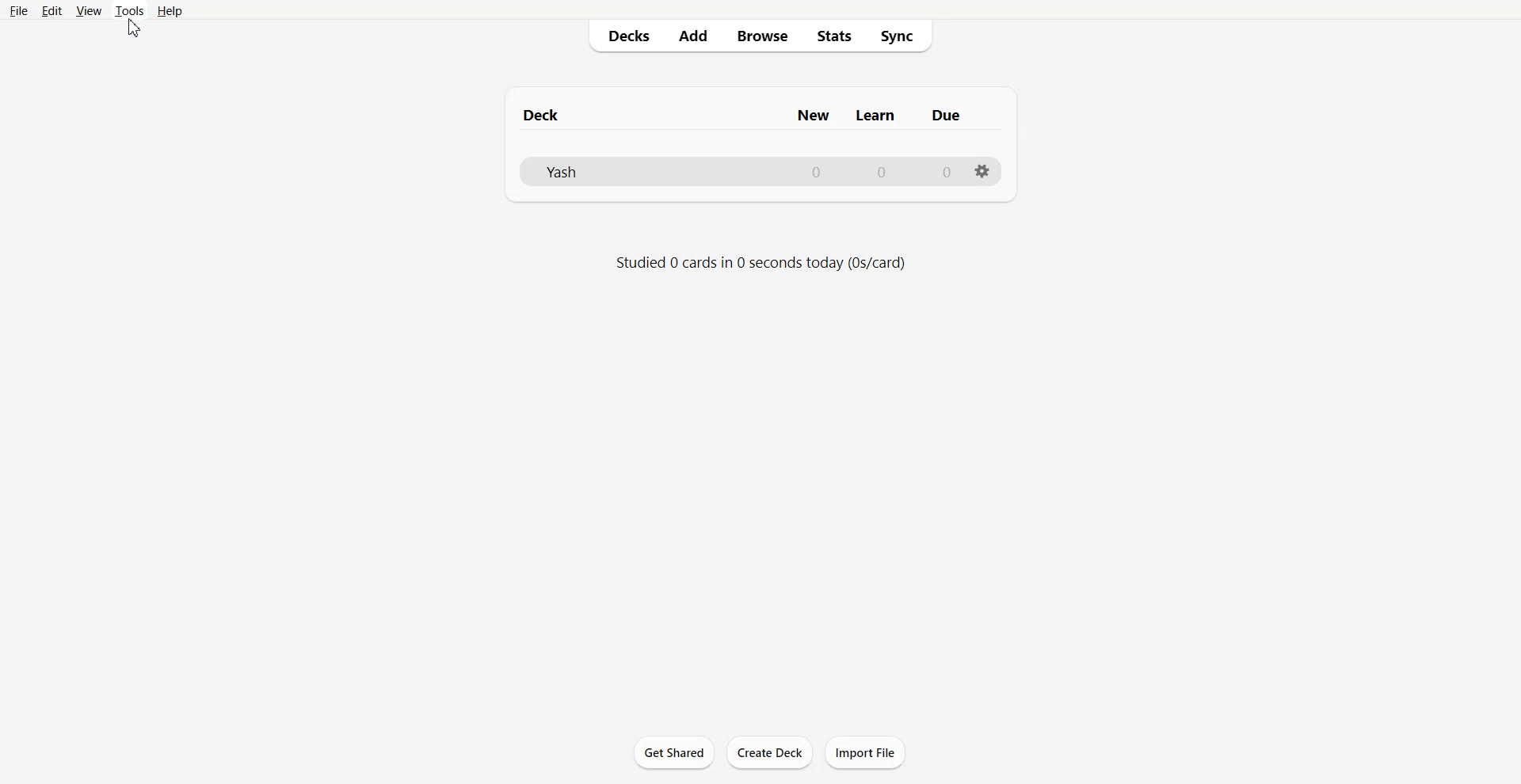 The height and width of the screenshot is (784, 1521). Describe the element at coordinates (816, 172) in the screenshot. I see `Number of New cards` at that location.